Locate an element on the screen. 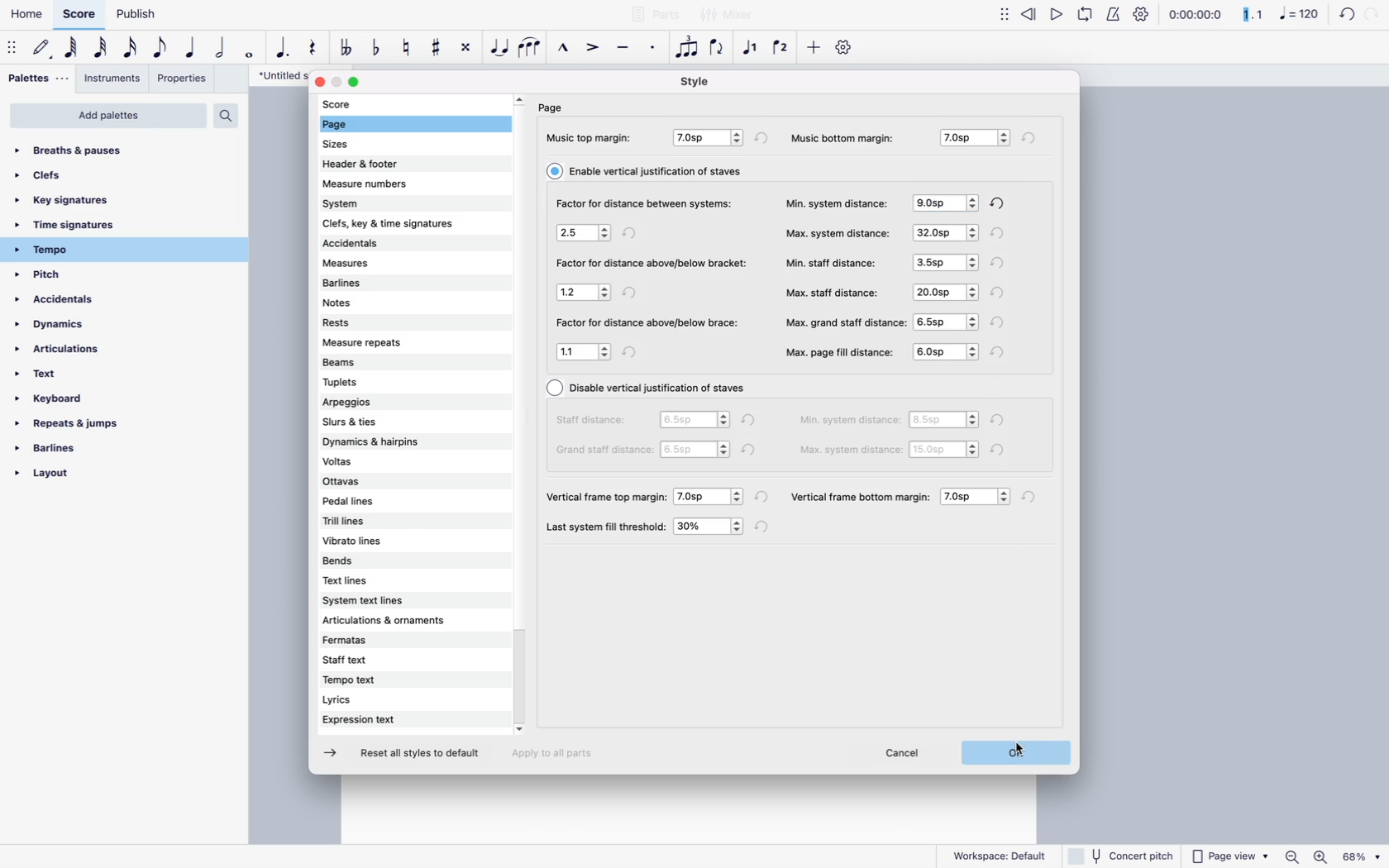 The width and height of the screenshot is (1389, 868). refresh is located at coordinates (1033, 498).